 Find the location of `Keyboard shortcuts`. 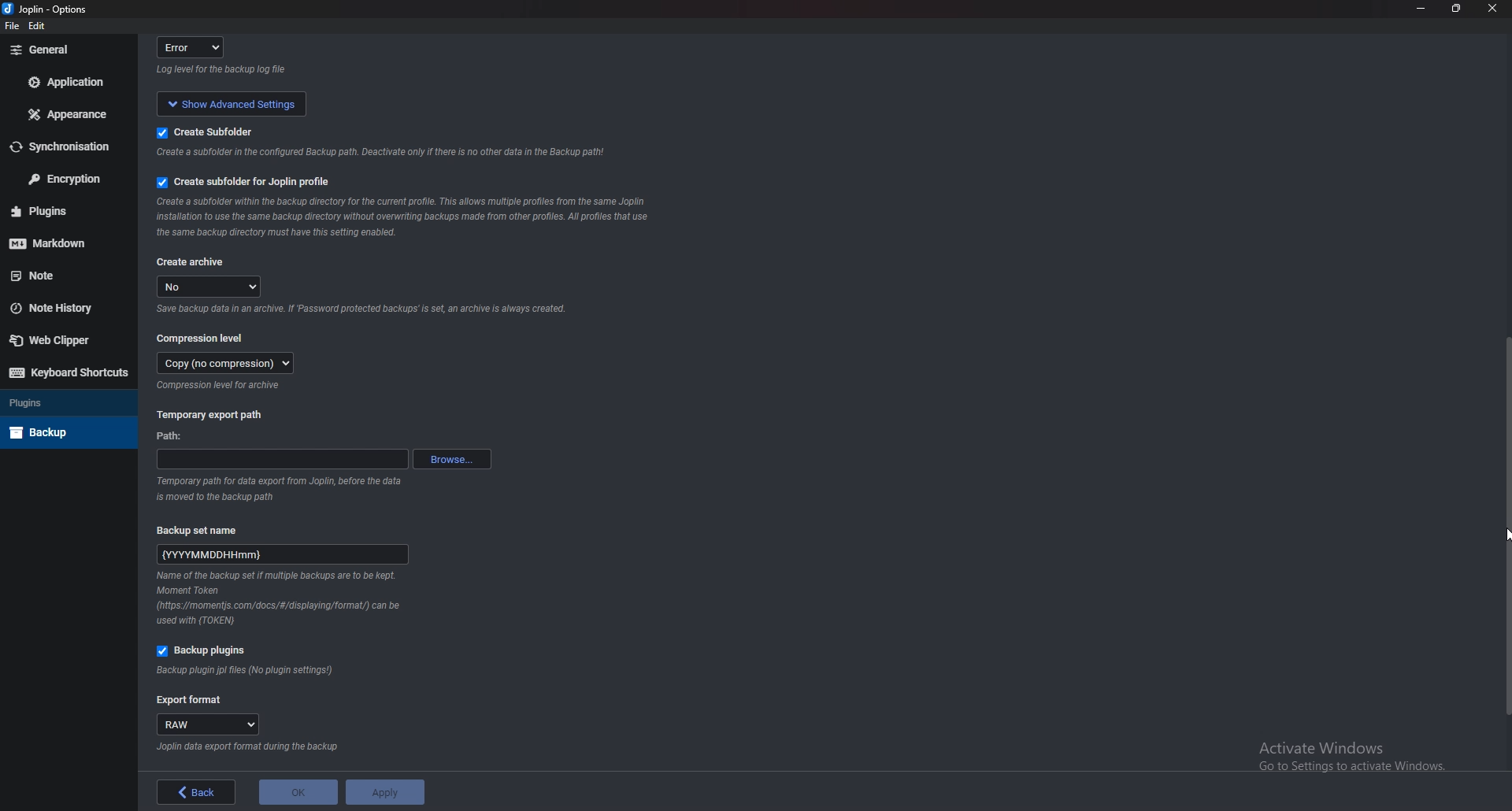

Keyboard shortcuts is located at coordinates (69, 372).